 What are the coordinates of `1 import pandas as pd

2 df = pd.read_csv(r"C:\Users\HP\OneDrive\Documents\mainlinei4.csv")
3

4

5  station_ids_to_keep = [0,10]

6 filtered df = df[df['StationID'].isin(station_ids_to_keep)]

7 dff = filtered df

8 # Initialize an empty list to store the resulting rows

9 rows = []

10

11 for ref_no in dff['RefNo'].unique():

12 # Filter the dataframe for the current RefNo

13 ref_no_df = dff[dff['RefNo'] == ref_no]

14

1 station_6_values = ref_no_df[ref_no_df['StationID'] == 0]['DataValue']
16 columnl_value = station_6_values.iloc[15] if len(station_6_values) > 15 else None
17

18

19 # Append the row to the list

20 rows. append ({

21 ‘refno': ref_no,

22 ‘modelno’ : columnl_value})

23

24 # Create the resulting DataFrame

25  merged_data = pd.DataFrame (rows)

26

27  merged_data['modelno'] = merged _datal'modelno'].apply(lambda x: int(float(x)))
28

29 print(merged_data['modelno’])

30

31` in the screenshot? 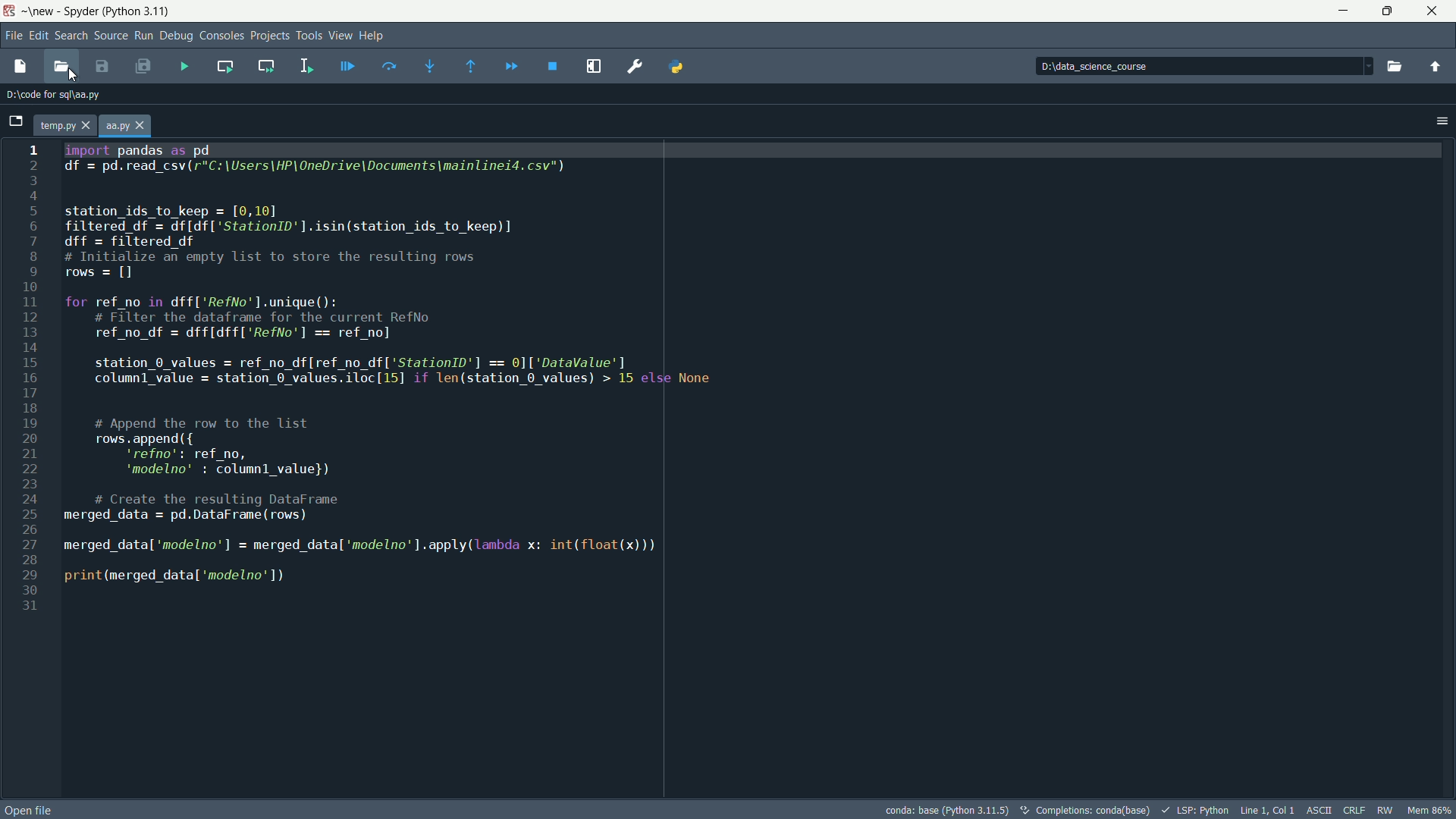 It's located at (366, 392).